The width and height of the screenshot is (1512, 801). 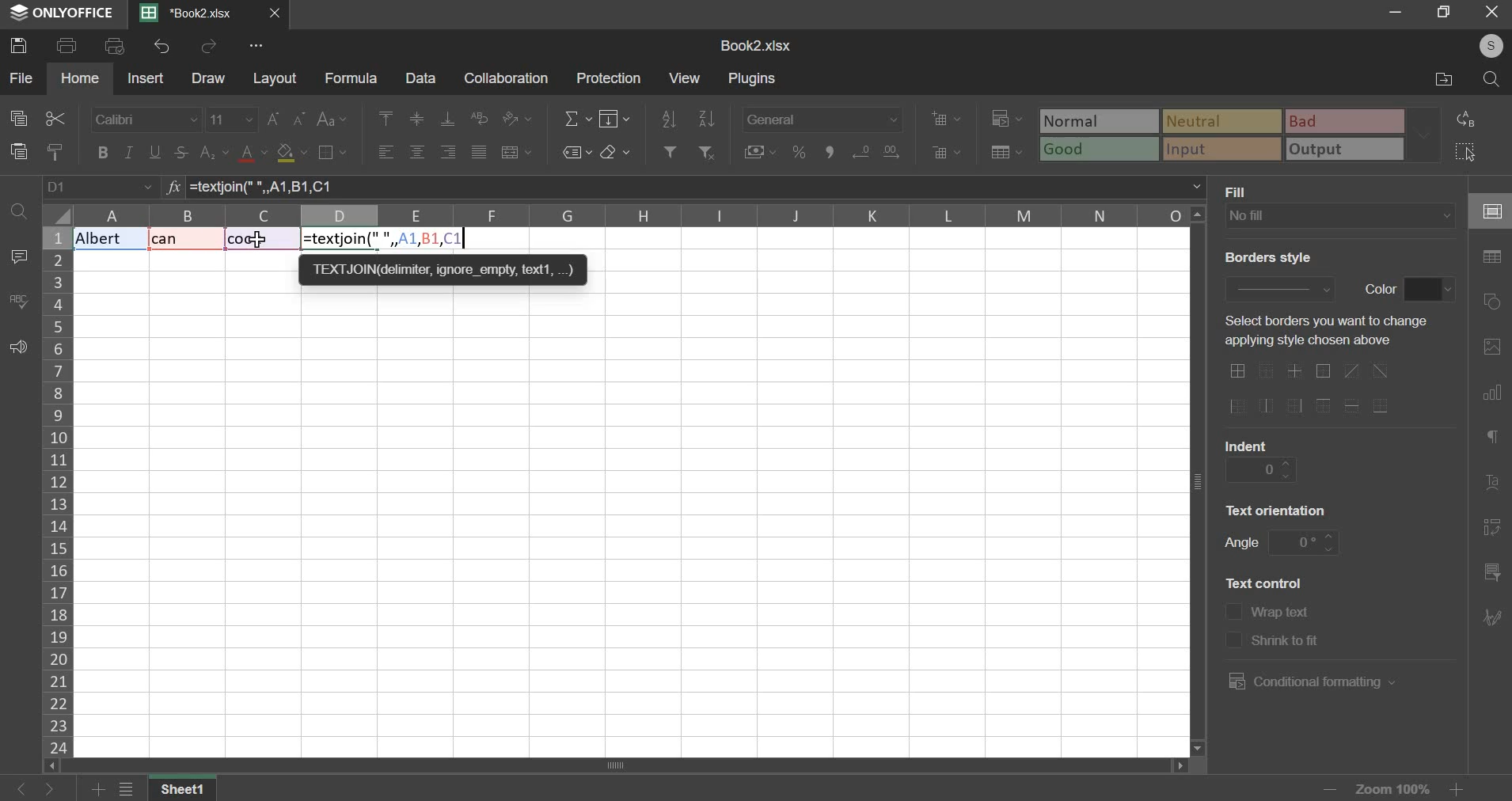 What do you see at coordinates (1233, 626) in the screenshot?
I see `text control` at bounding box center [1233, 626].